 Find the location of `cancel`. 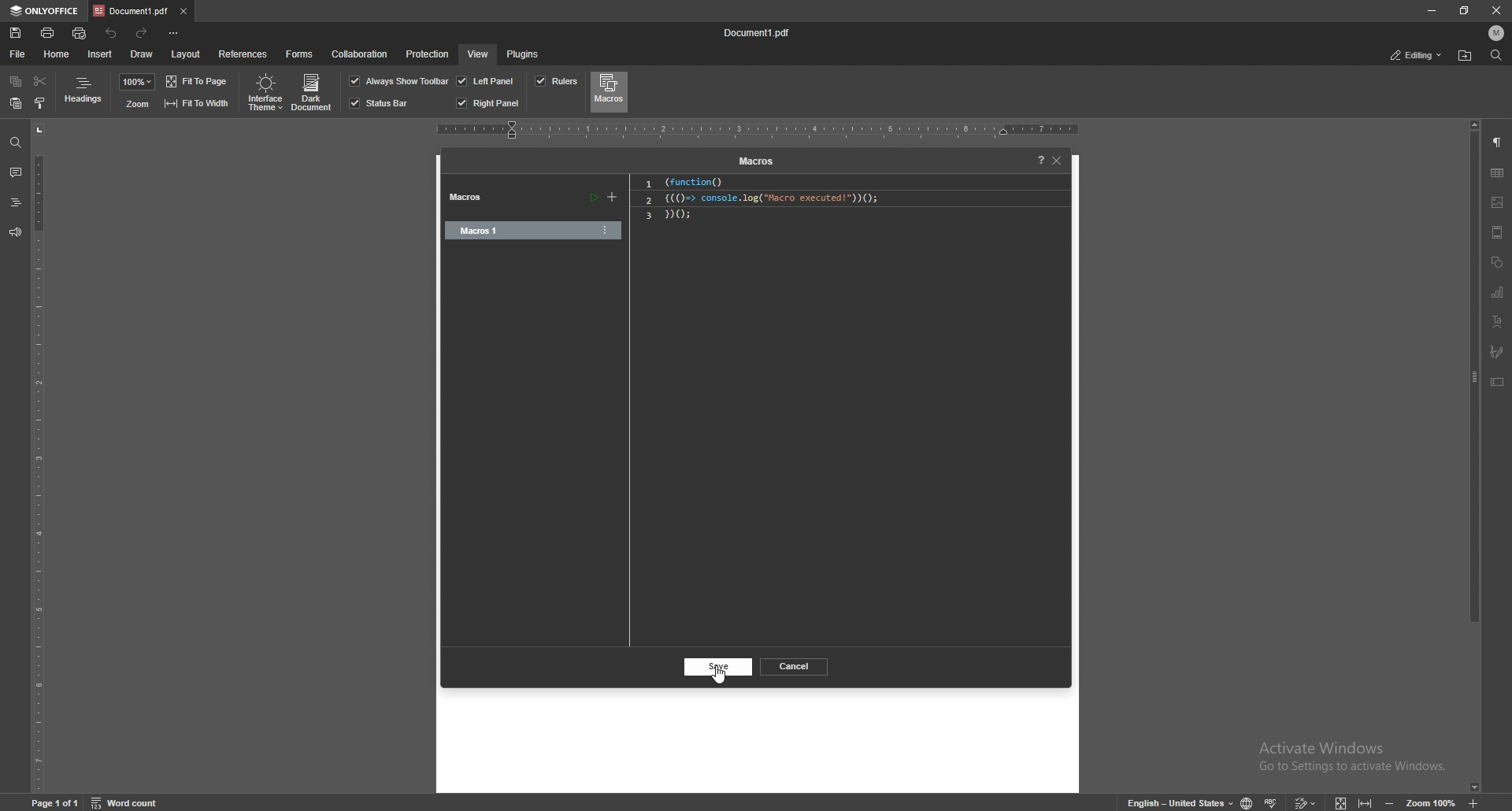

cancel is located at coordinates (795, 665).